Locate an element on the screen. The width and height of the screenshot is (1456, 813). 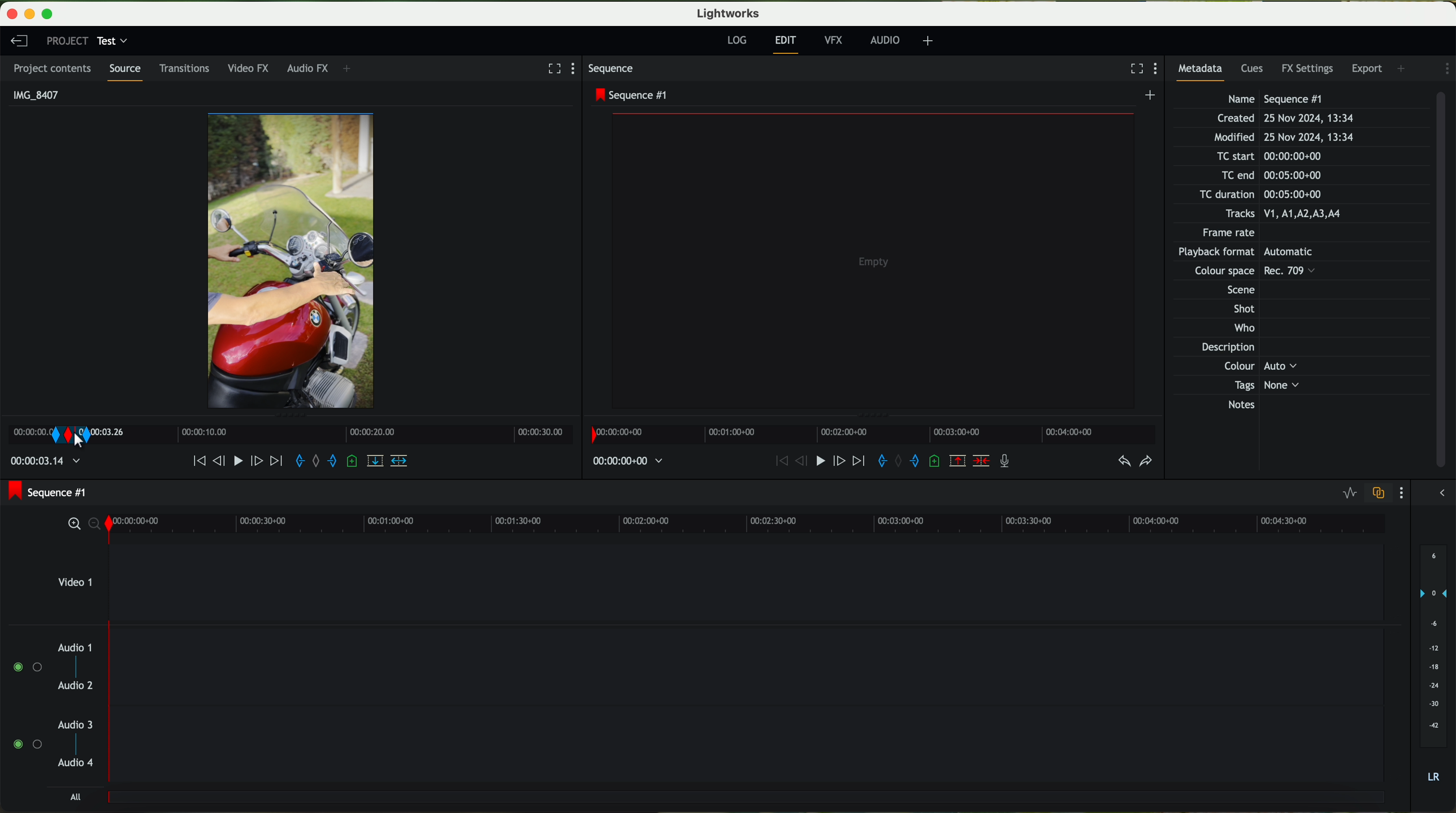
Frame rate is located at coordinates (1232, 235).